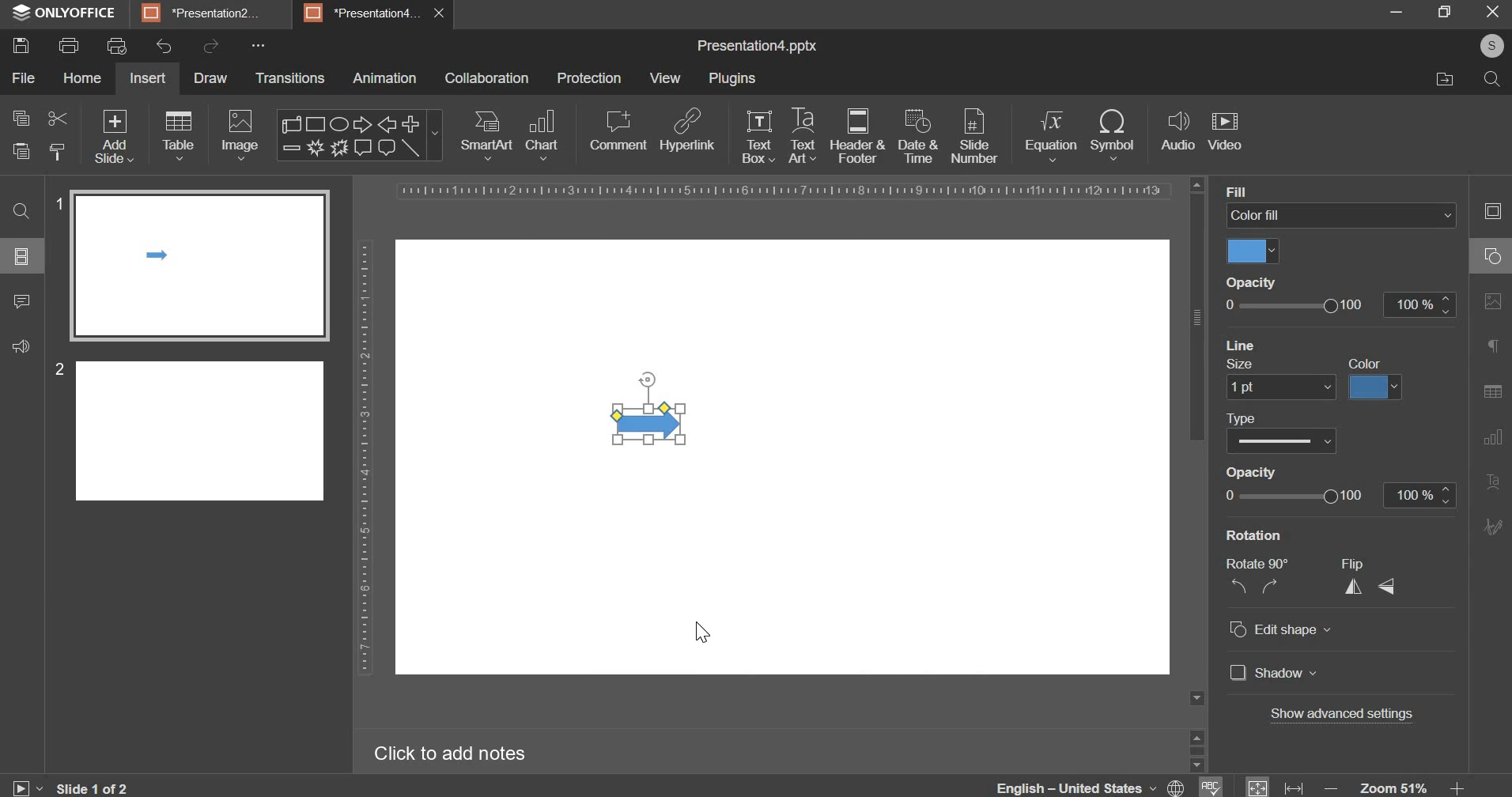 Image resolution: width=1512 pixels, height=797 pixels. I want to click on zoom, so click(1397, 784).